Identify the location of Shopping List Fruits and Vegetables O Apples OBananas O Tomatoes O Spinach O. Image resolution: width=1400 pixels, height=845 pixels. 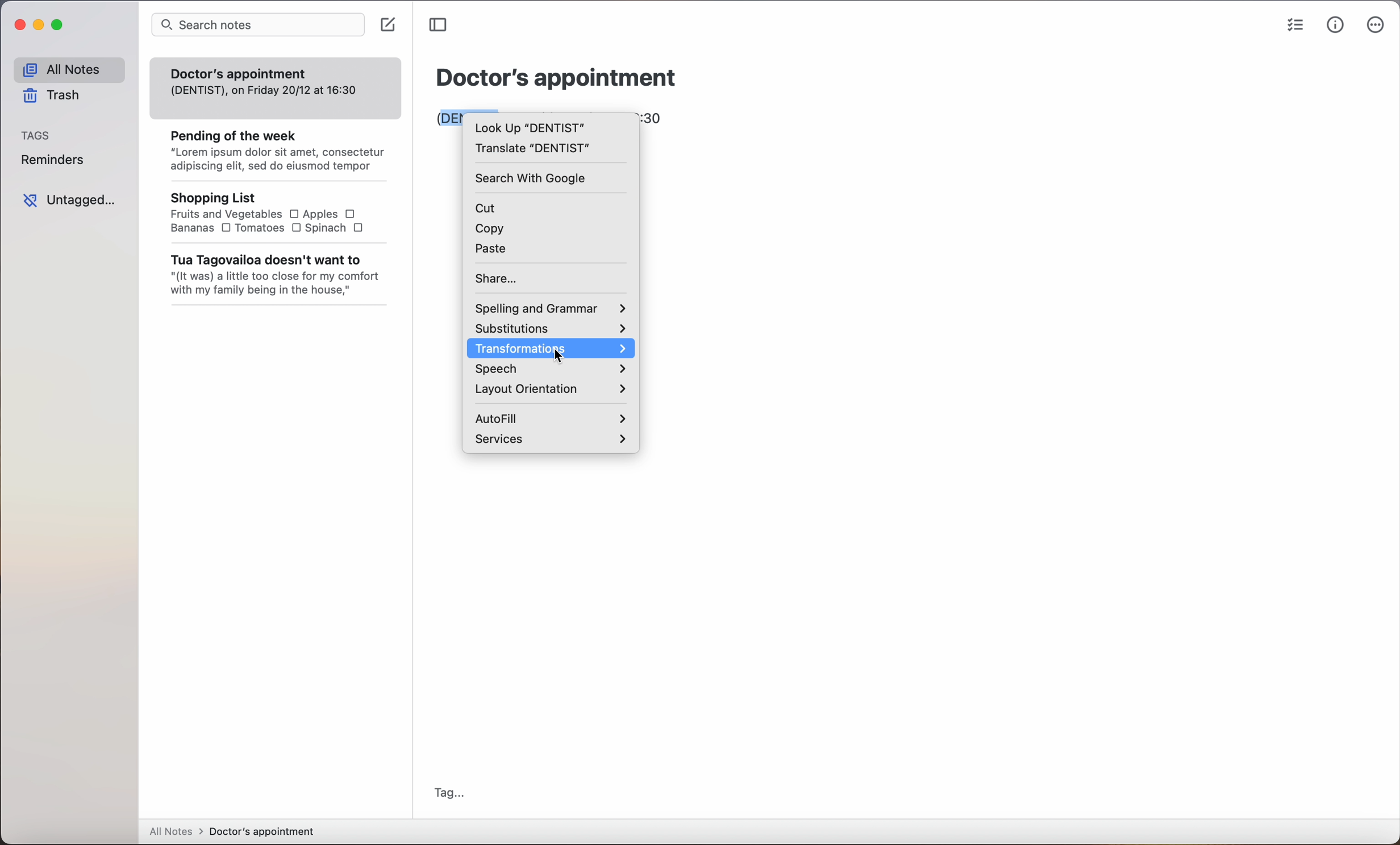
(261, 212).